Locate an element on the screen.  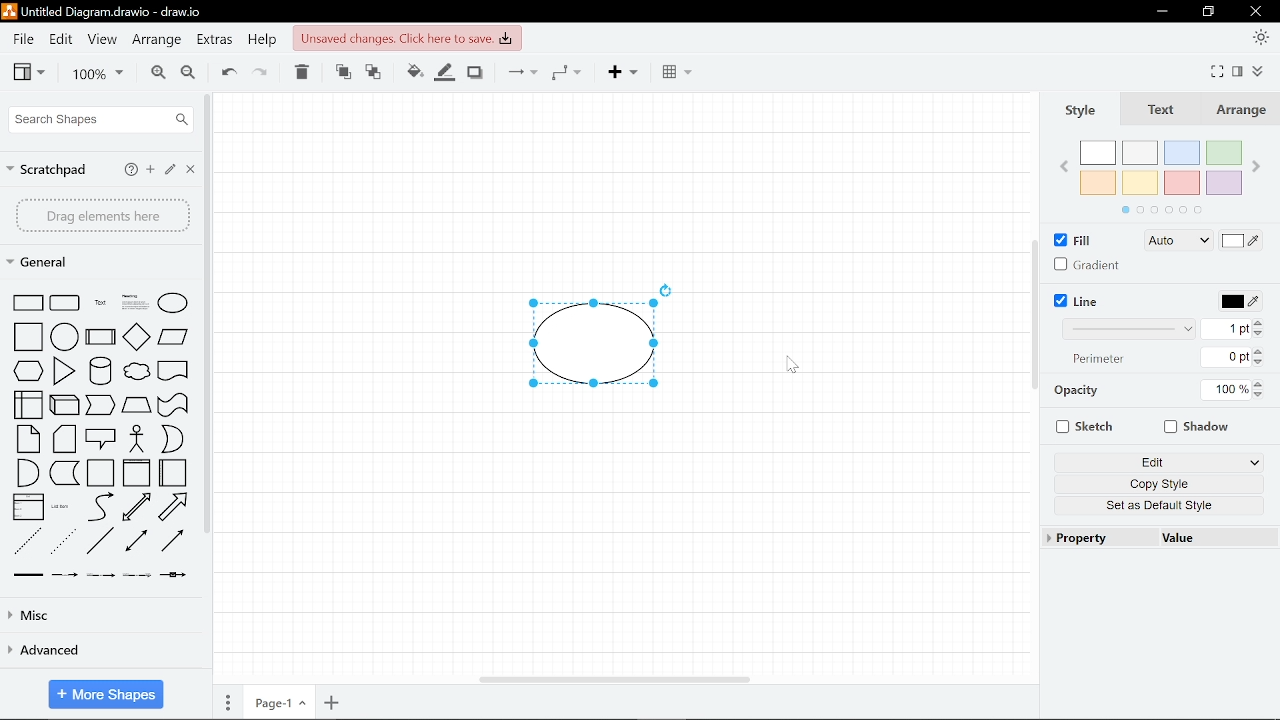
Appearence is located at coordinates (1262, 39).